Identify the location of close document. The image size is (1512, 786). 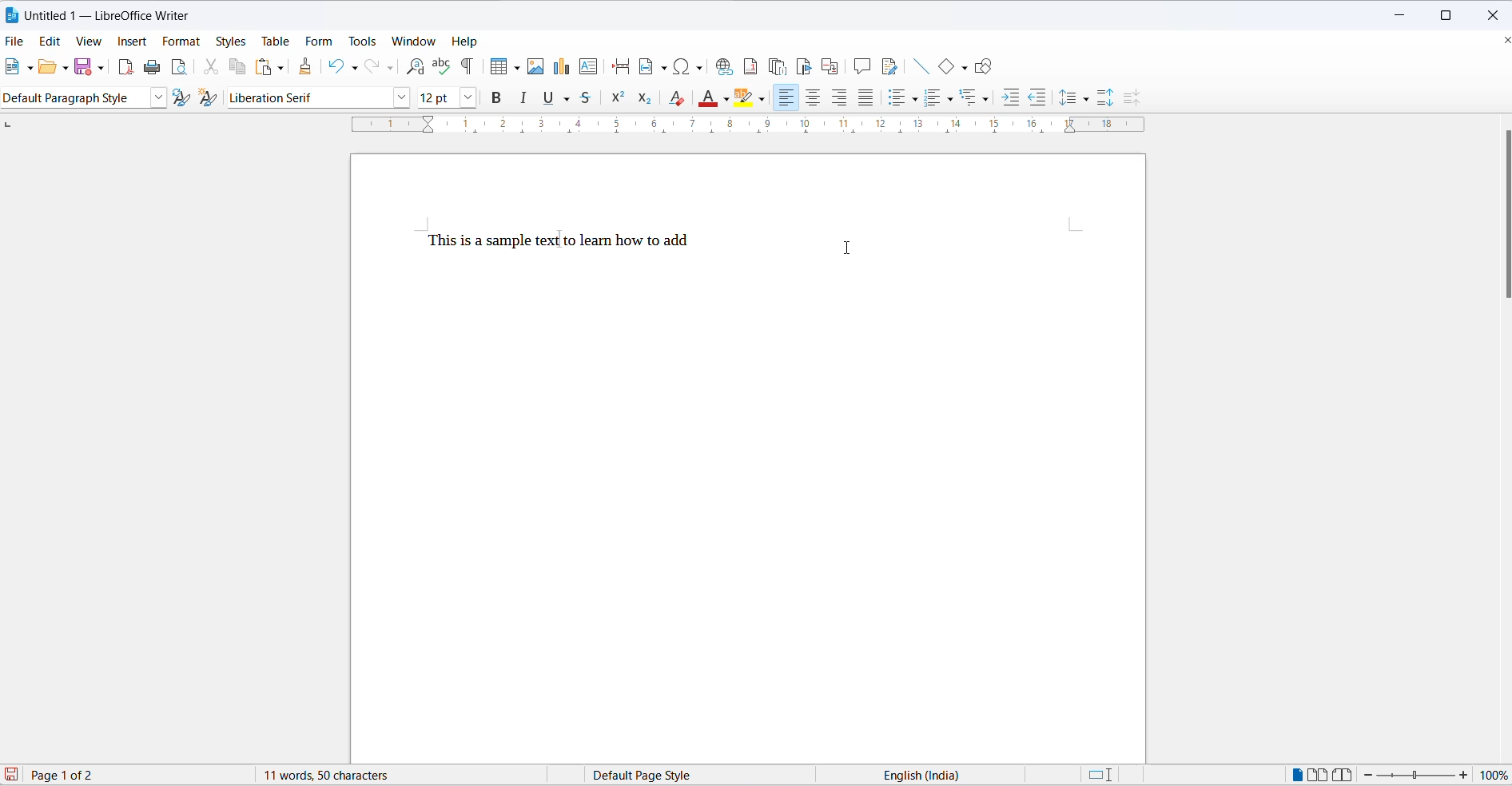
(1502, 41).